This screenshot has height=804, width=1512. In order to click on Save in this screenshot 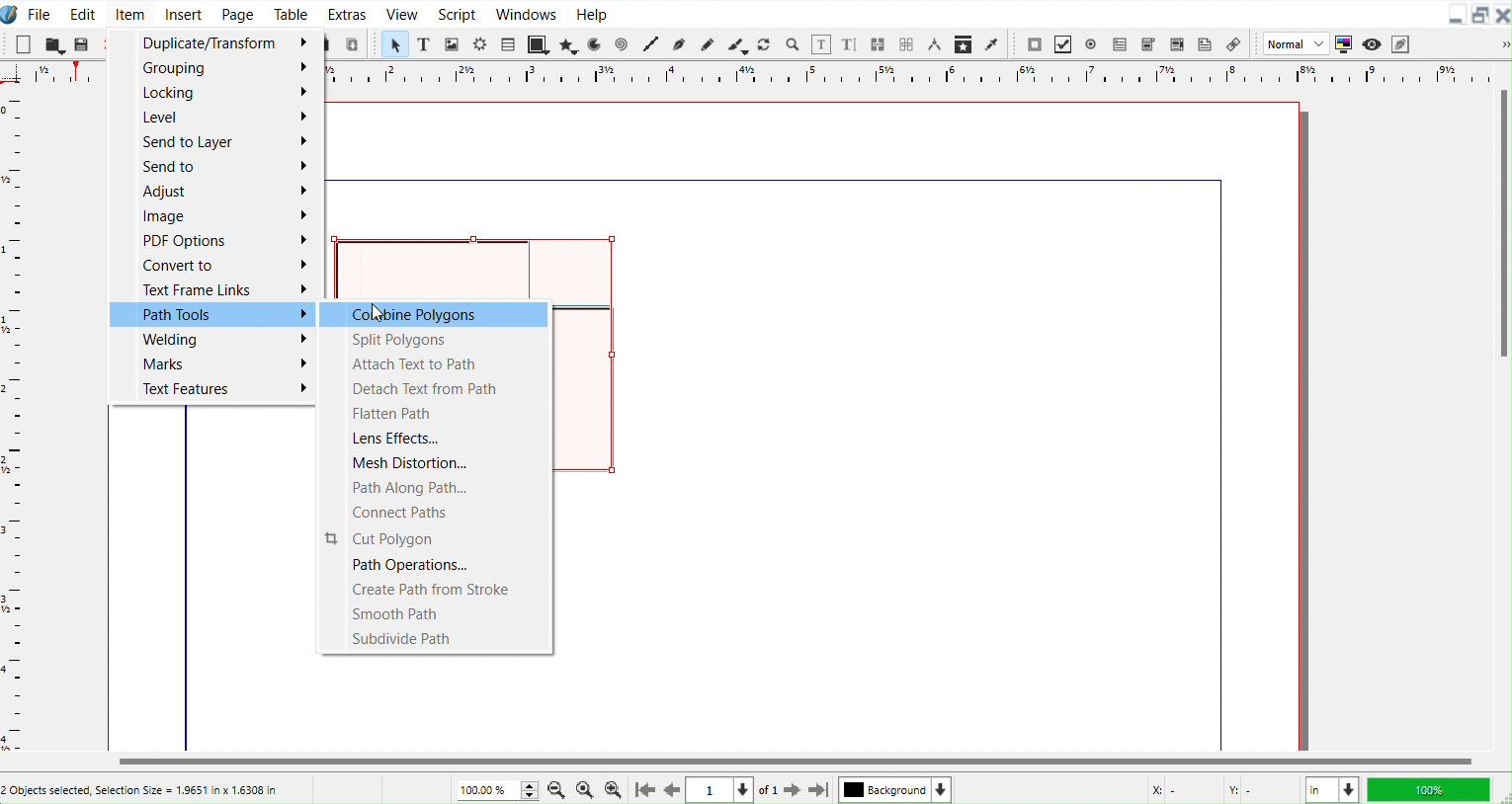, I will do `click(82, 42)`.